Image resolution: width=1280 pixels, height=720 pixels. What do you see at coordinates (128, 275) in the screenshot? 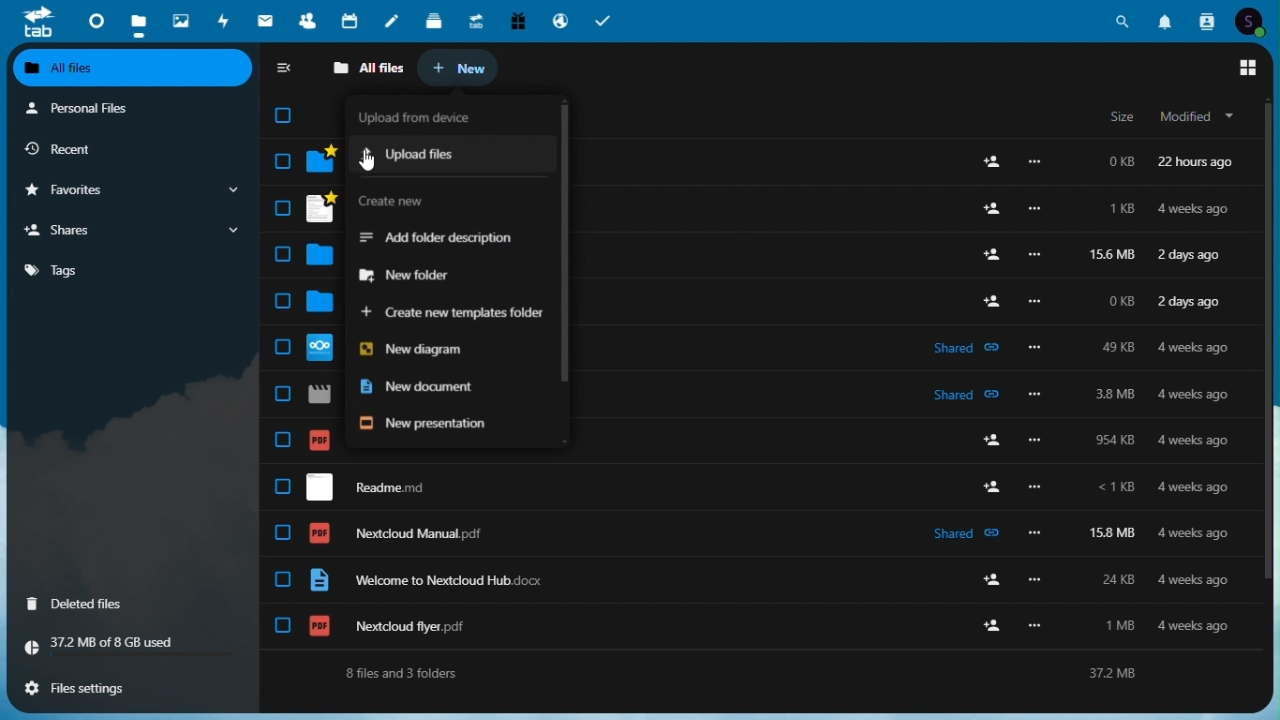
I see `tag` at bounding box center [128, 275].